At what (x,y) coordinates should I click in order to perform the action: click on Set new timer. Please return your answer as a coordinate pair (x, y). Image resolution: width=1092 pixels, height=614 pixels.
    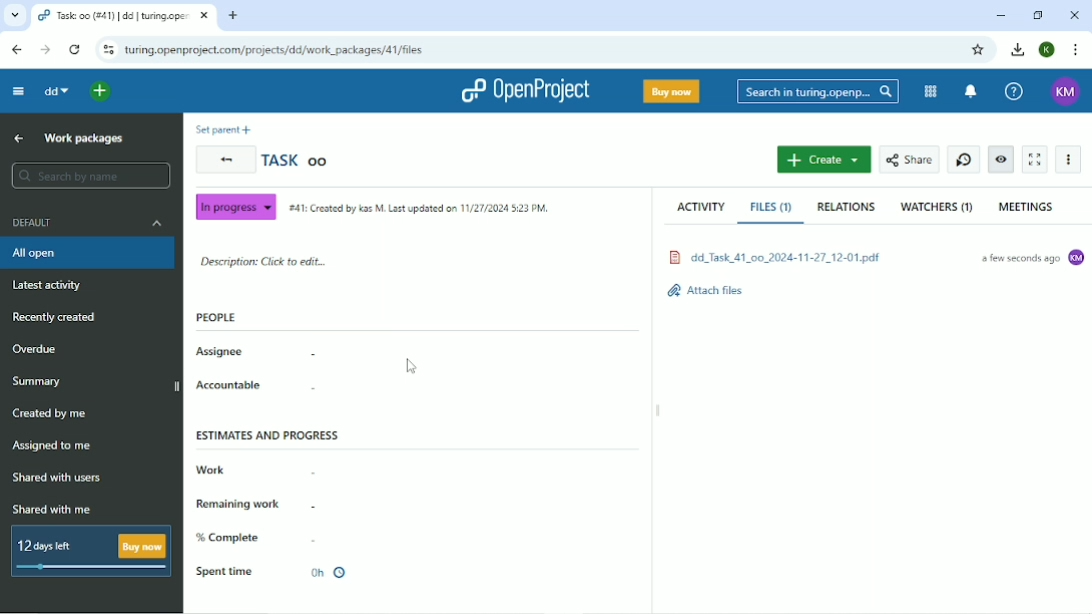
    Looking at the image, I should click on (962, 158).